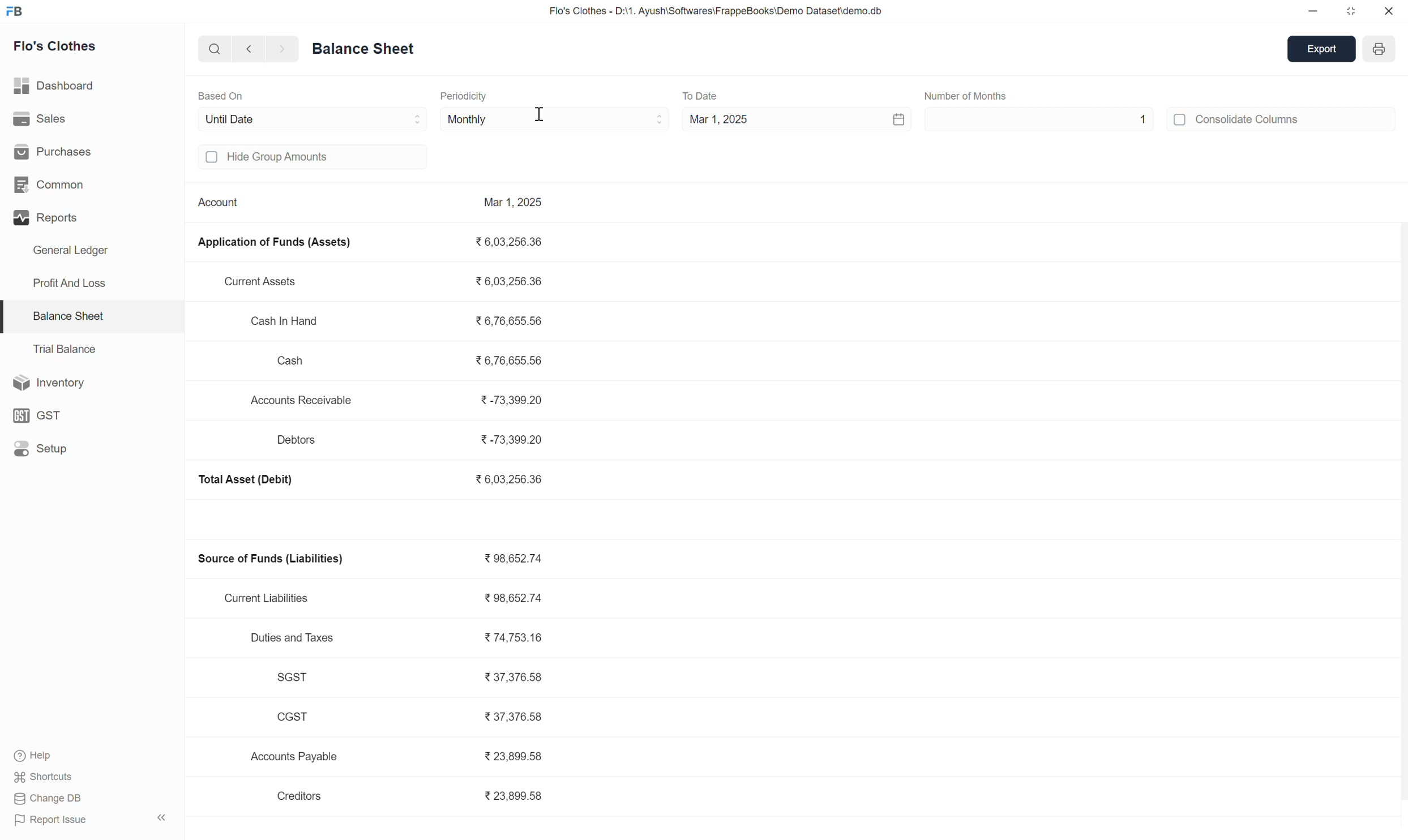  I want to click on search, so click(212, 49).